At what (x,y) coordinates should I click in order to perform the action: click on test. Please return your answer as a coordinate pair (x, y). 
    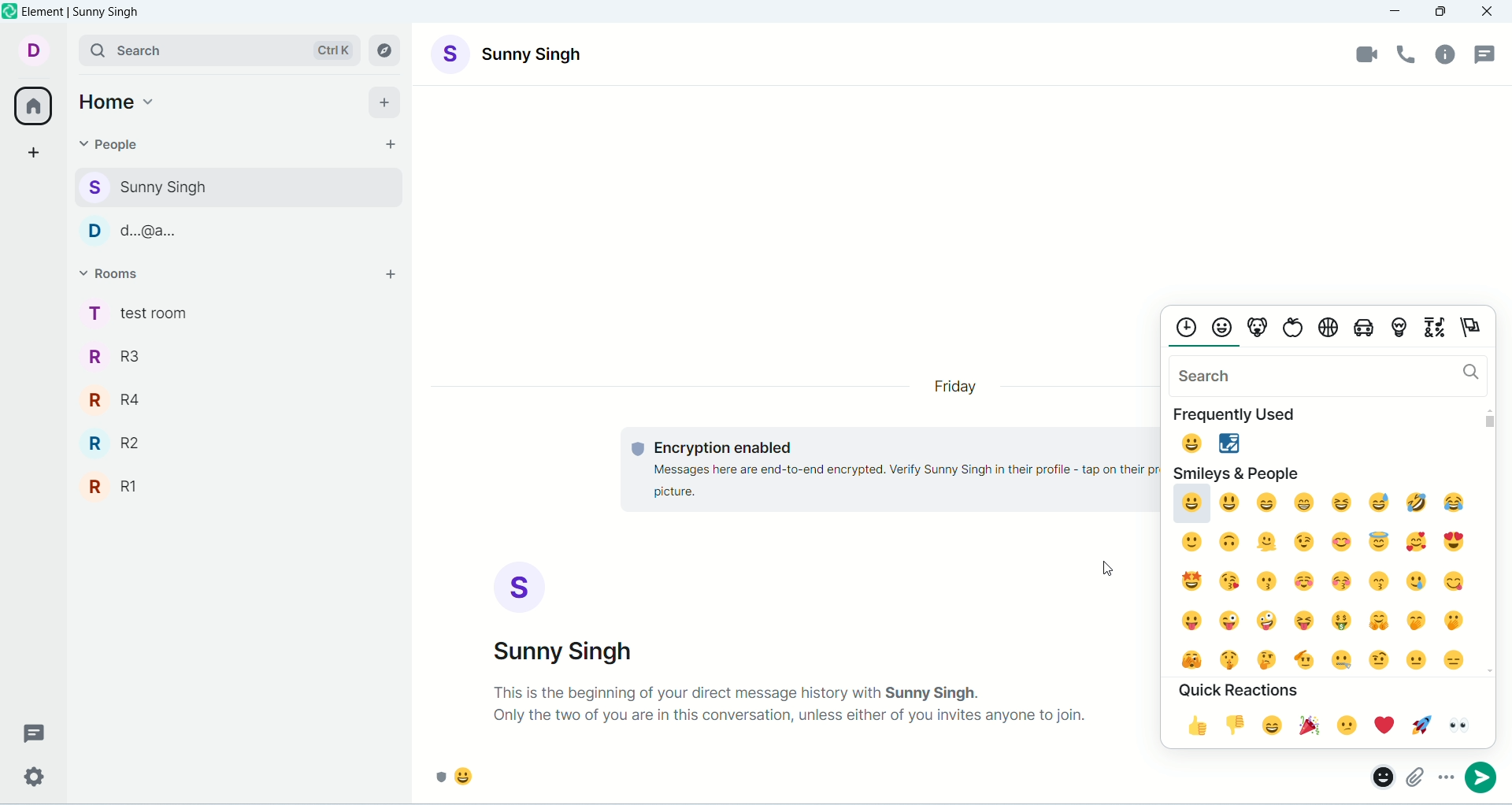
    Looking at the image, I should click on (882, 471).